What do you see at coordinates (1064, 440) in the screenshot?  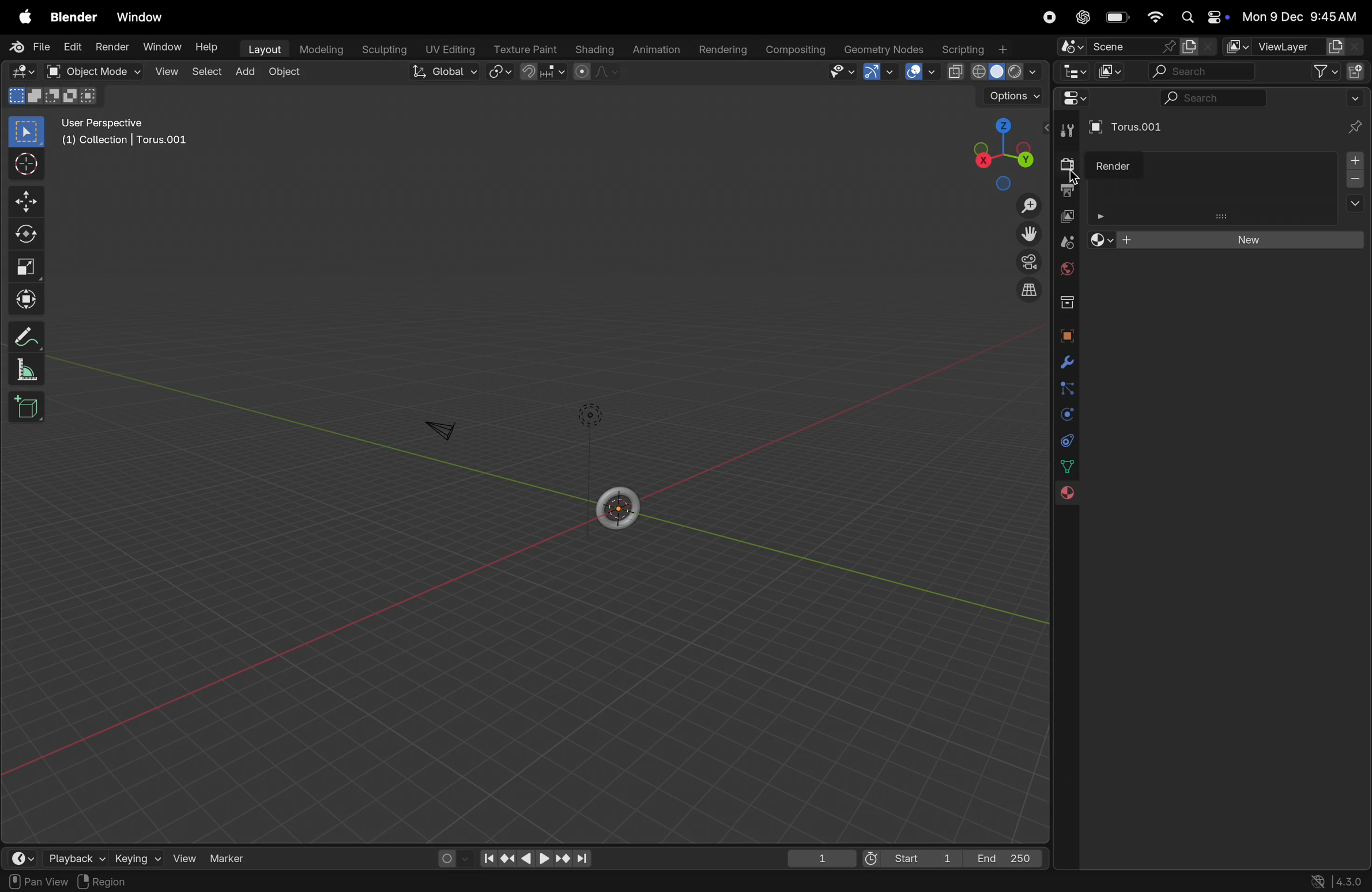 I see `constraints data physics` at bounding box center [1064, 440].